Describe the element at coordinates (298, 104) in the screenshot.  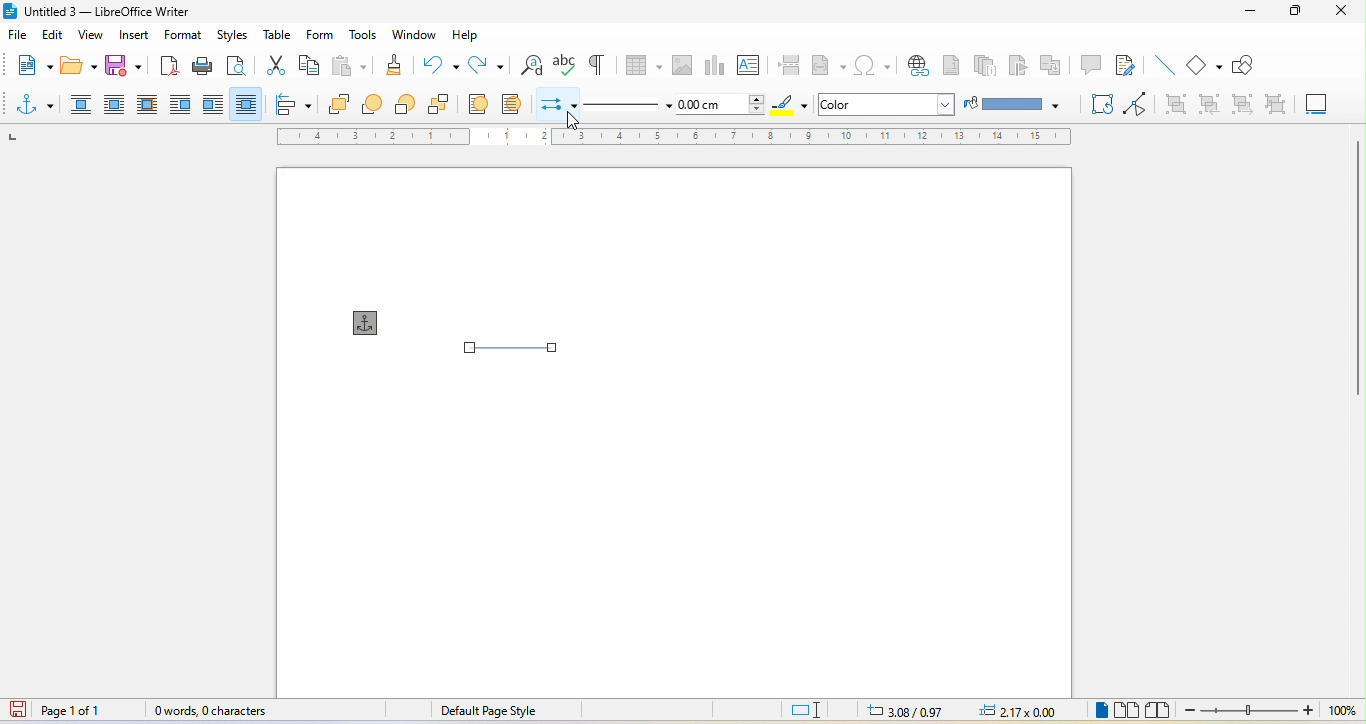
I see `align object` at that location.